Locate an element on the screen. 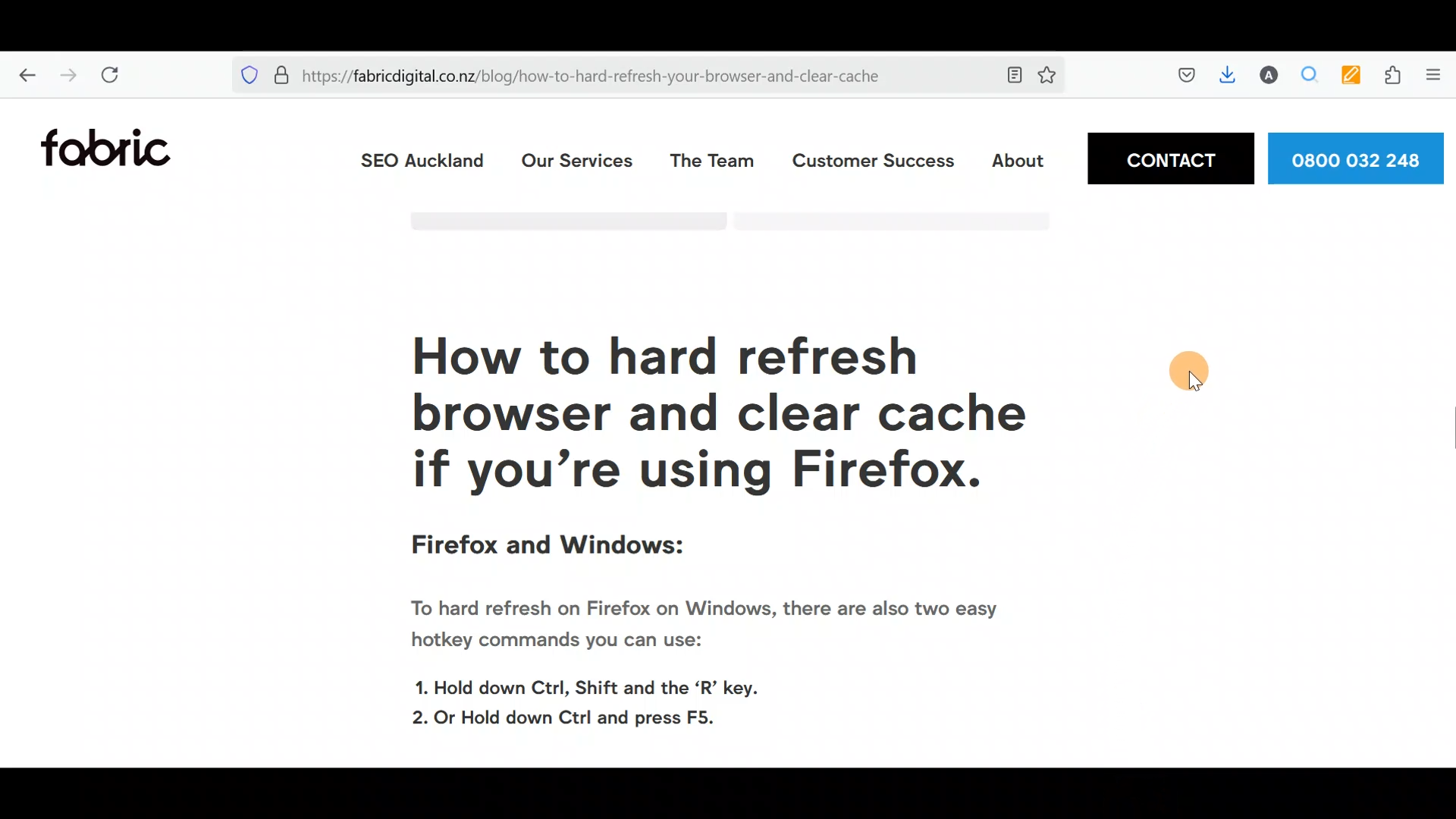  Contact is located at coordinates (1169, 158).